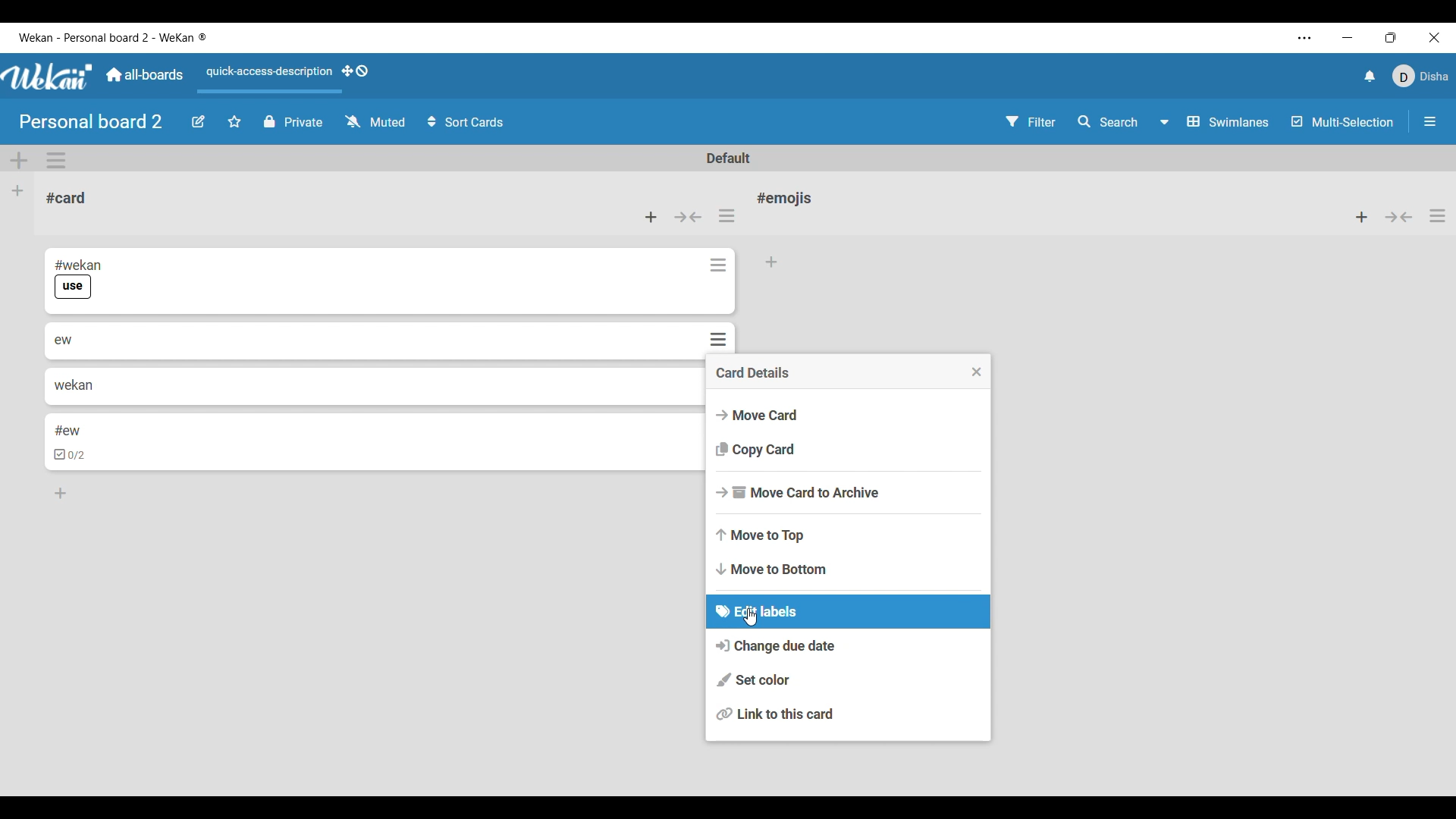  What do you see at coordinates (60, 492) in the screenshot?
I see `Add card to bottom of list` at bounding box center [60, 492].